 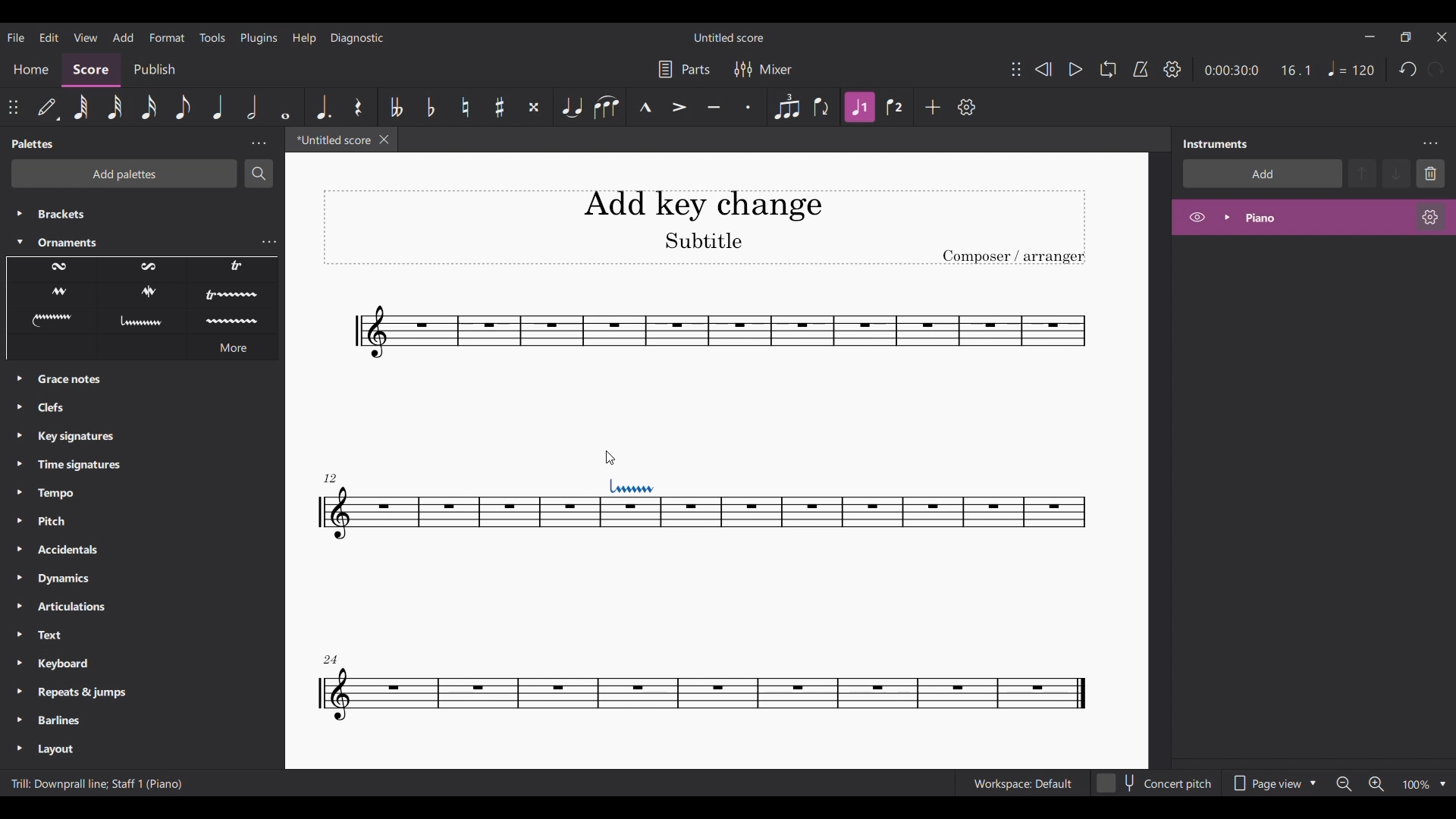 What do you see at coordinates (47, 107) in the screenshot?
I see `default` at bounding box center [47, 107].